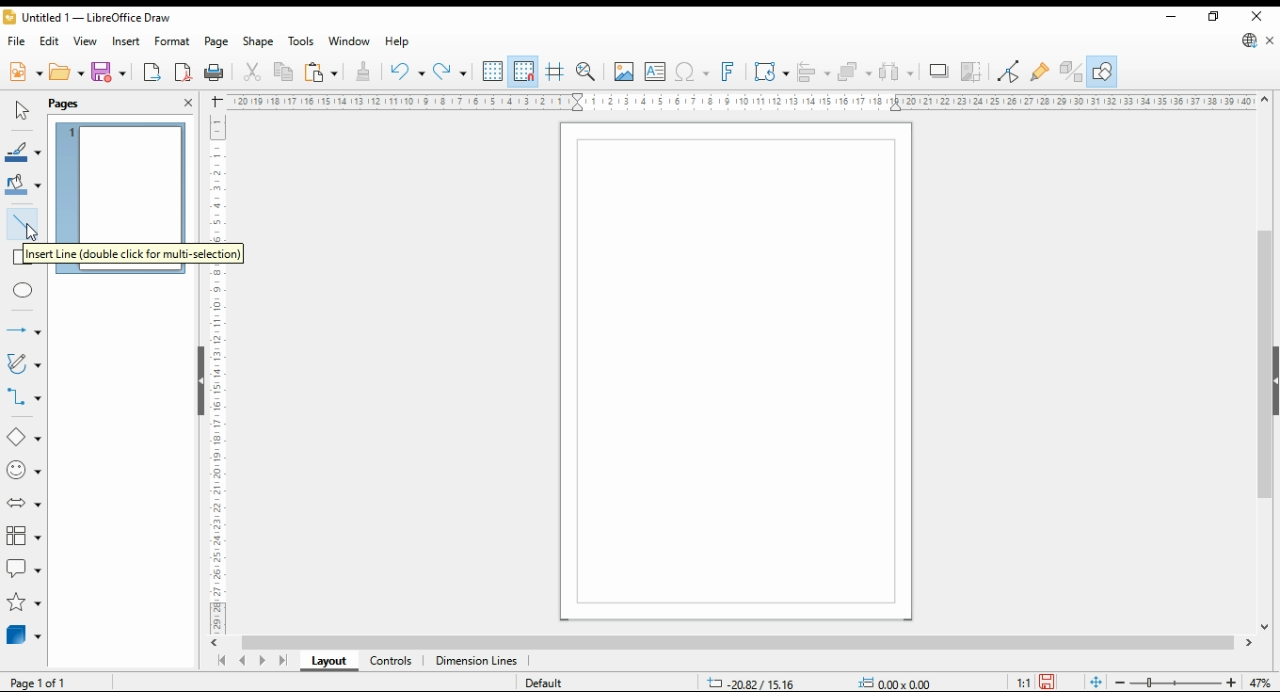  I want to click on paste, so click(321, 72).